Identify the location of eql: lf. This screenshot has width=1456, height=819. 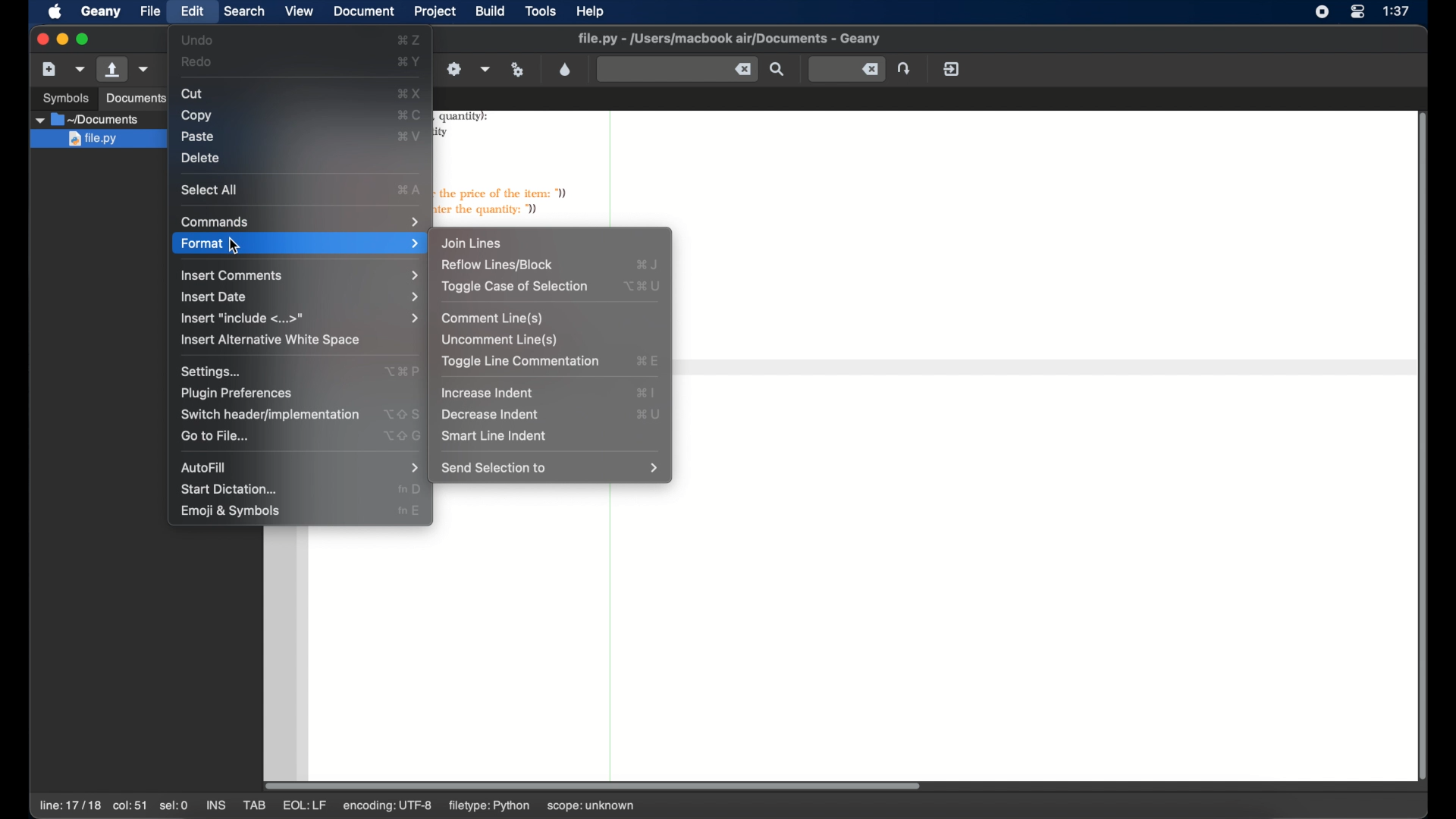
(305, 806).